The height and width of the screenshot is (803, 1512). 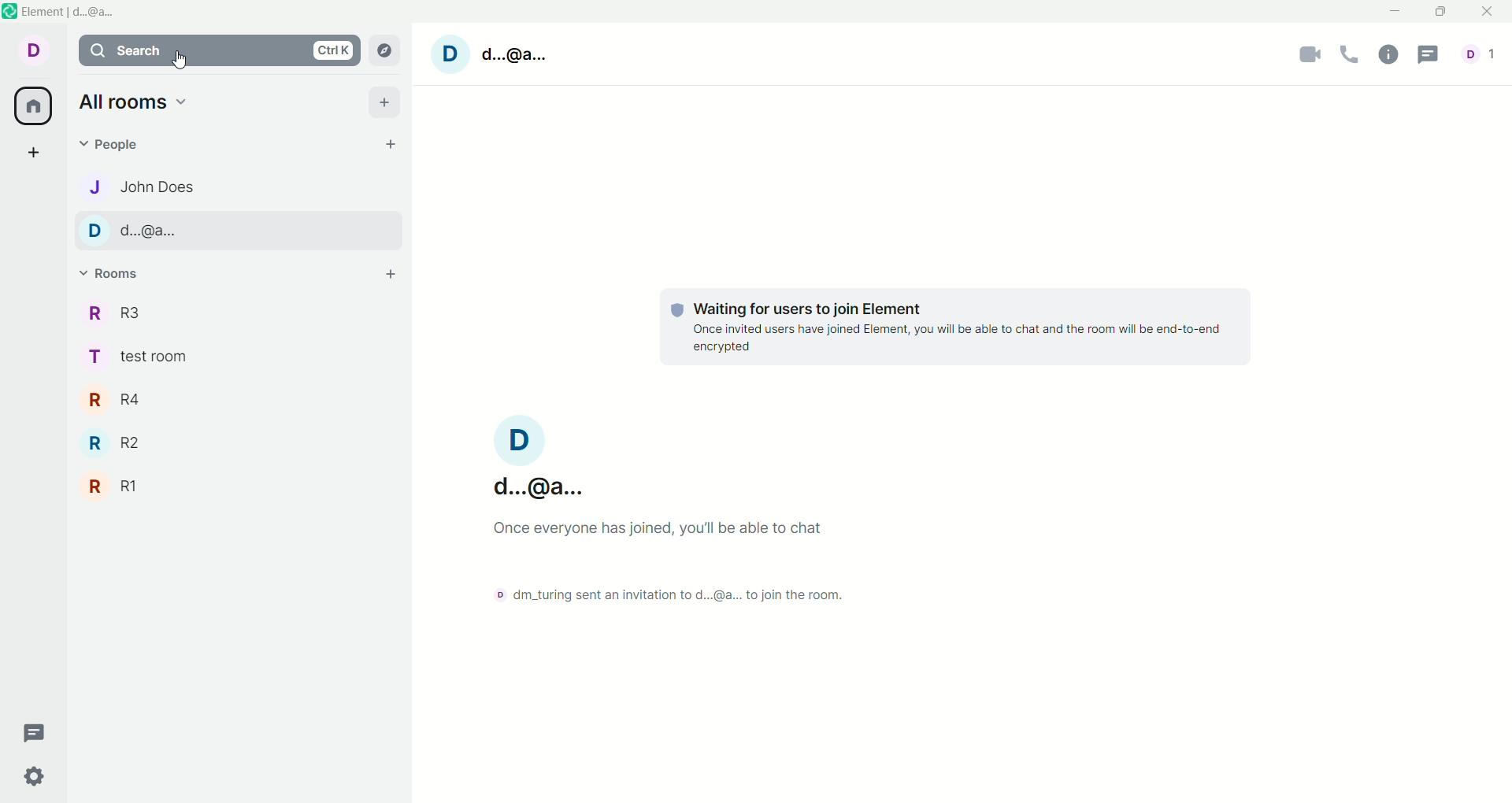 I want to click on add, so click(x=387, y=102).